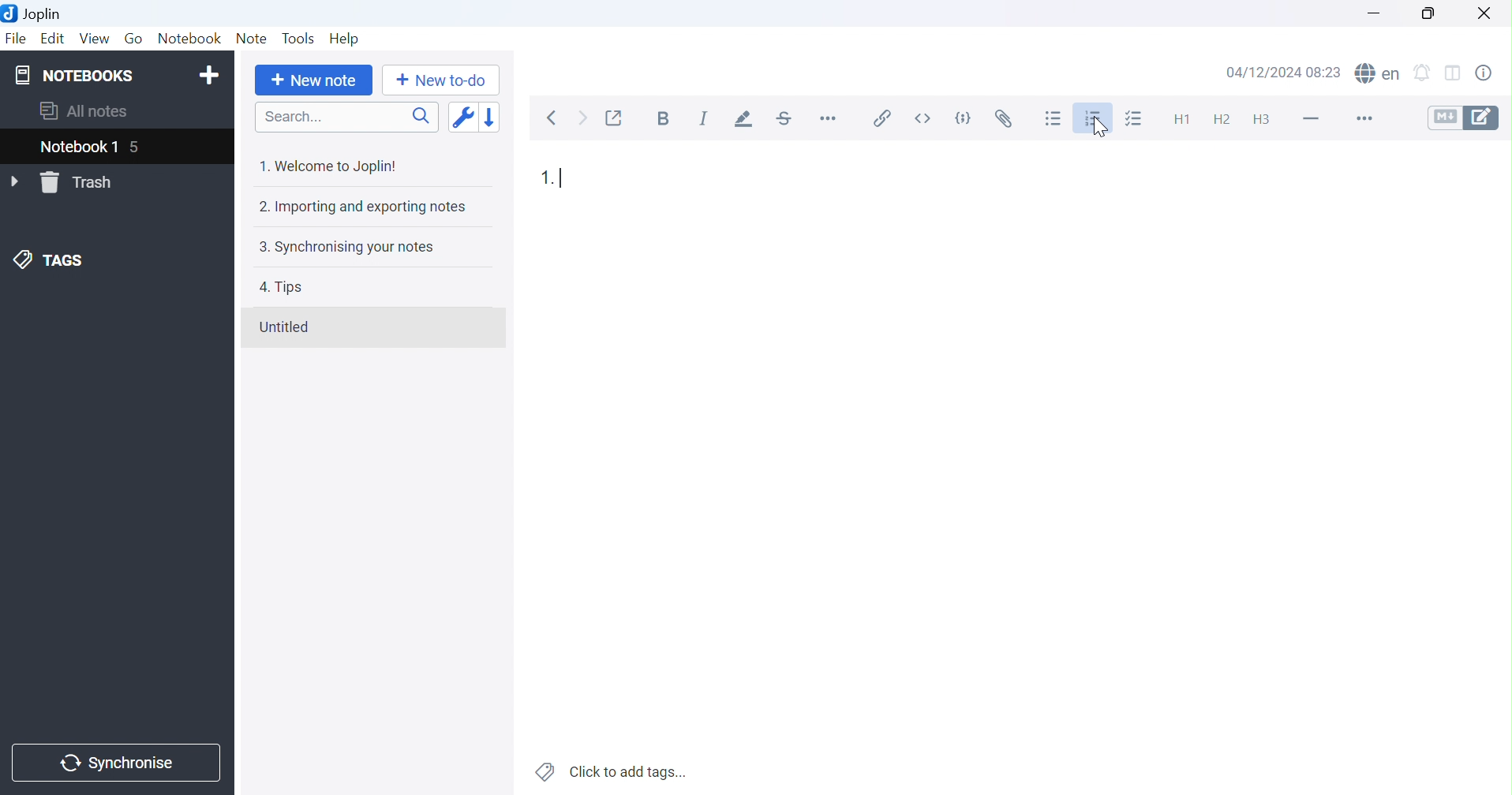 The height and width of the screenshot is (795, 1512). Describe the element at coordinates (281, 287) in the screenshot. I see `4. Tips` at that location.